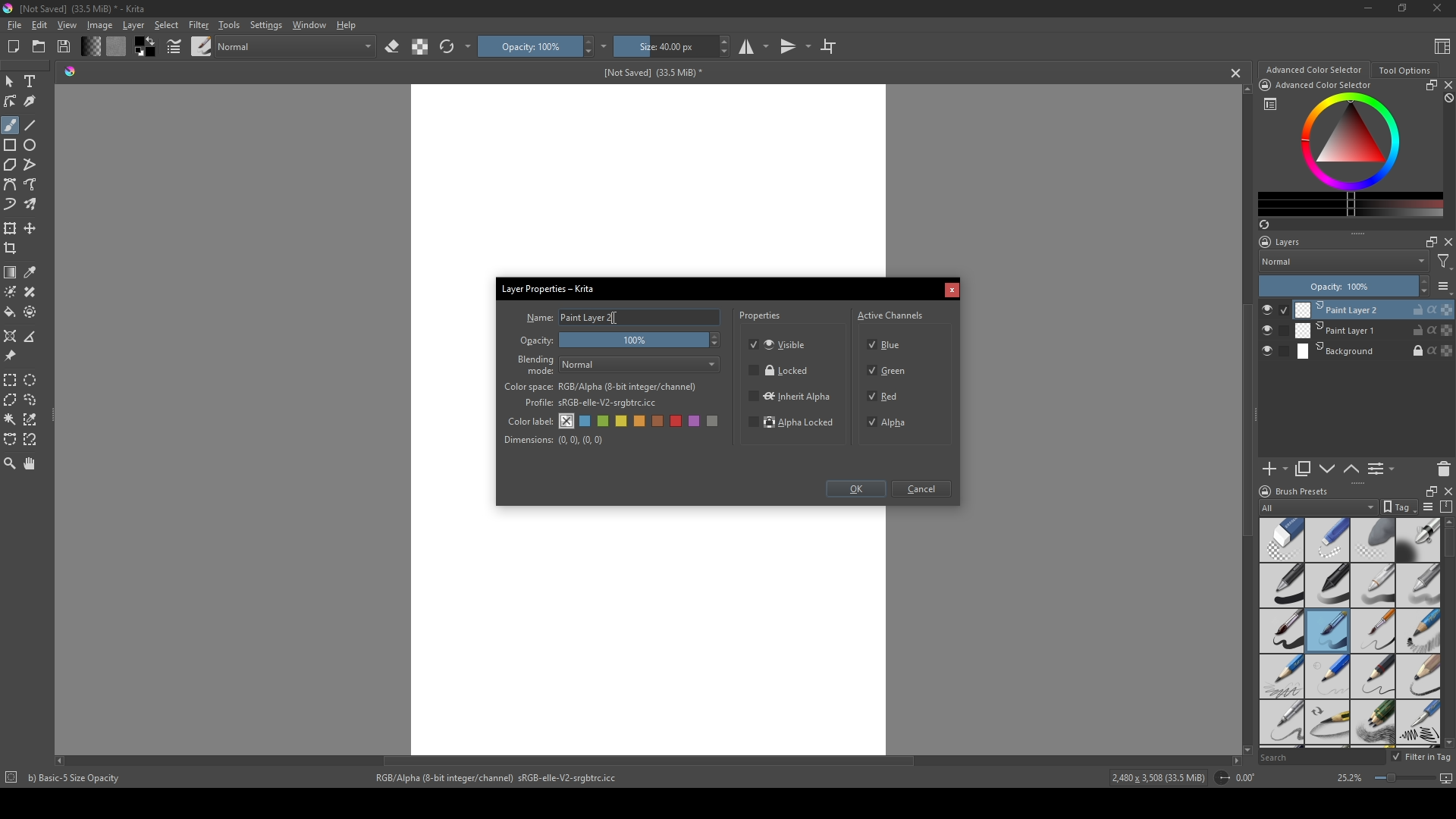 The image size is (1456, 819). What do you see at coordinates (115, 46) in the screenshot?
I see `color` at bounding box center [115, 46].